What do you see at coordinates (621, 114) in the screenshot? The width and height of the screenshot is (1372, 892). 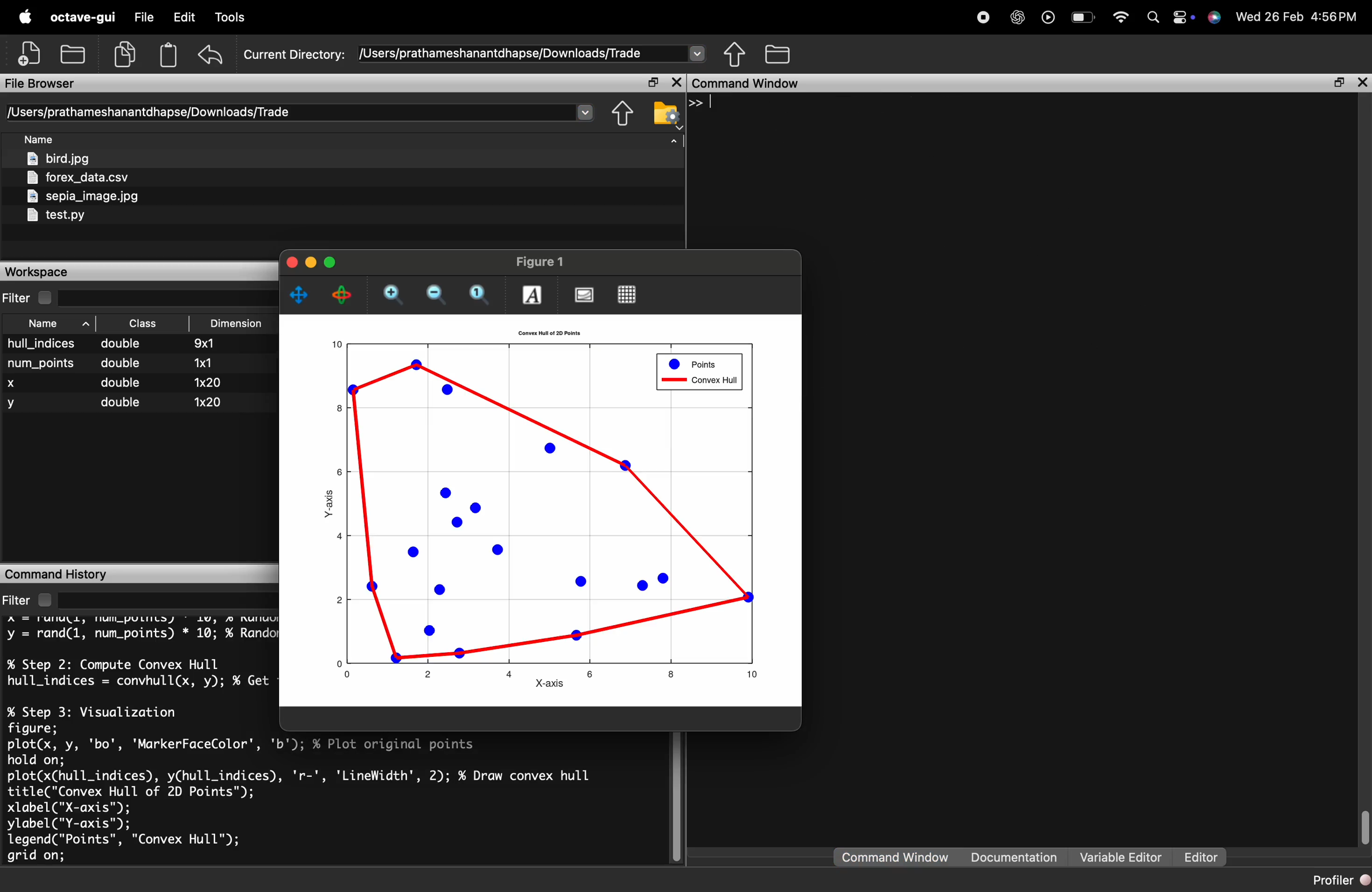 I see `share` at bounding box center [621, 114].